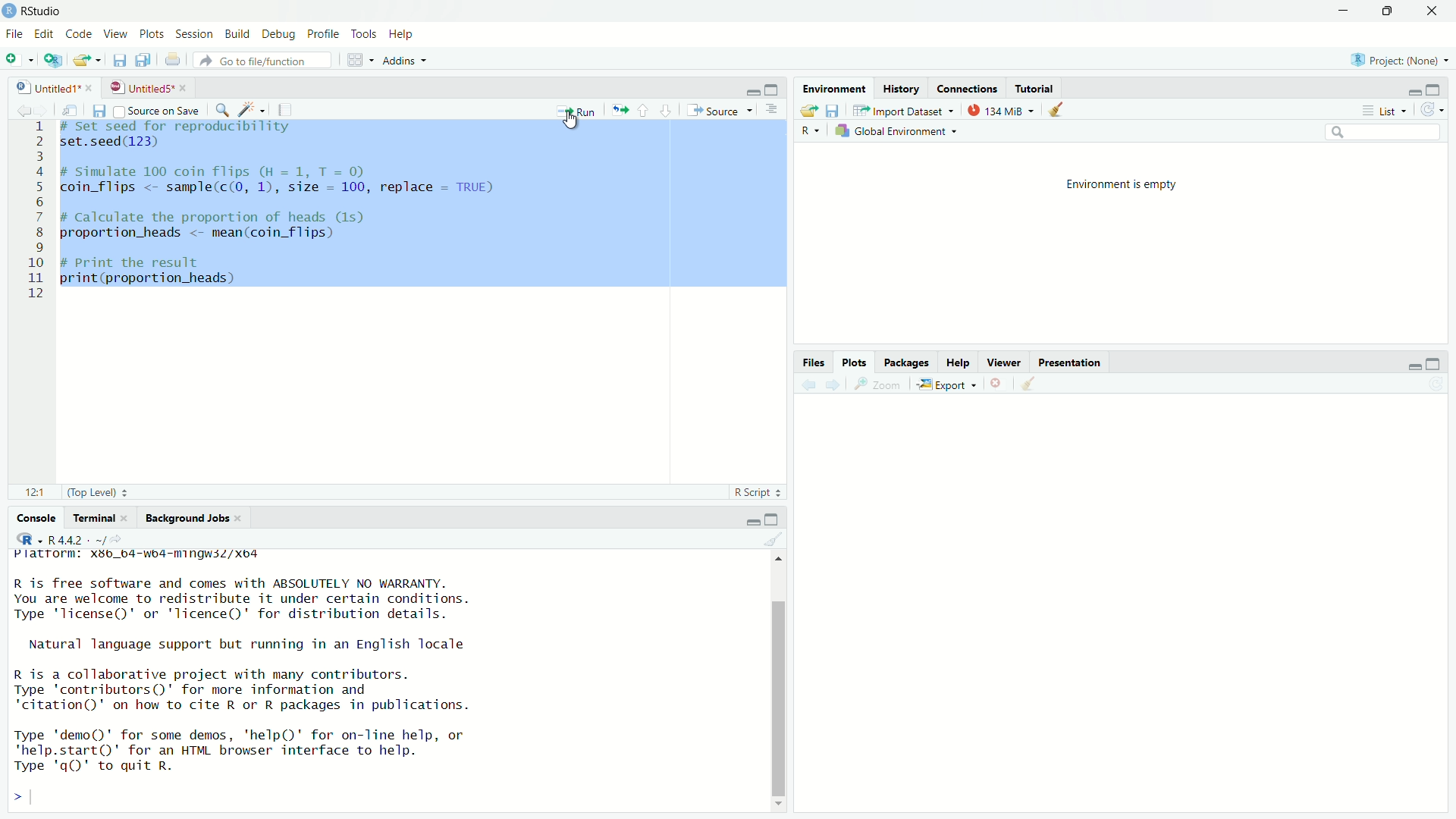 This screenshot has width=1456, height=819. Describe the element at coordinates (835, 111) in the screenshot. I see `save workspace as` at that location.